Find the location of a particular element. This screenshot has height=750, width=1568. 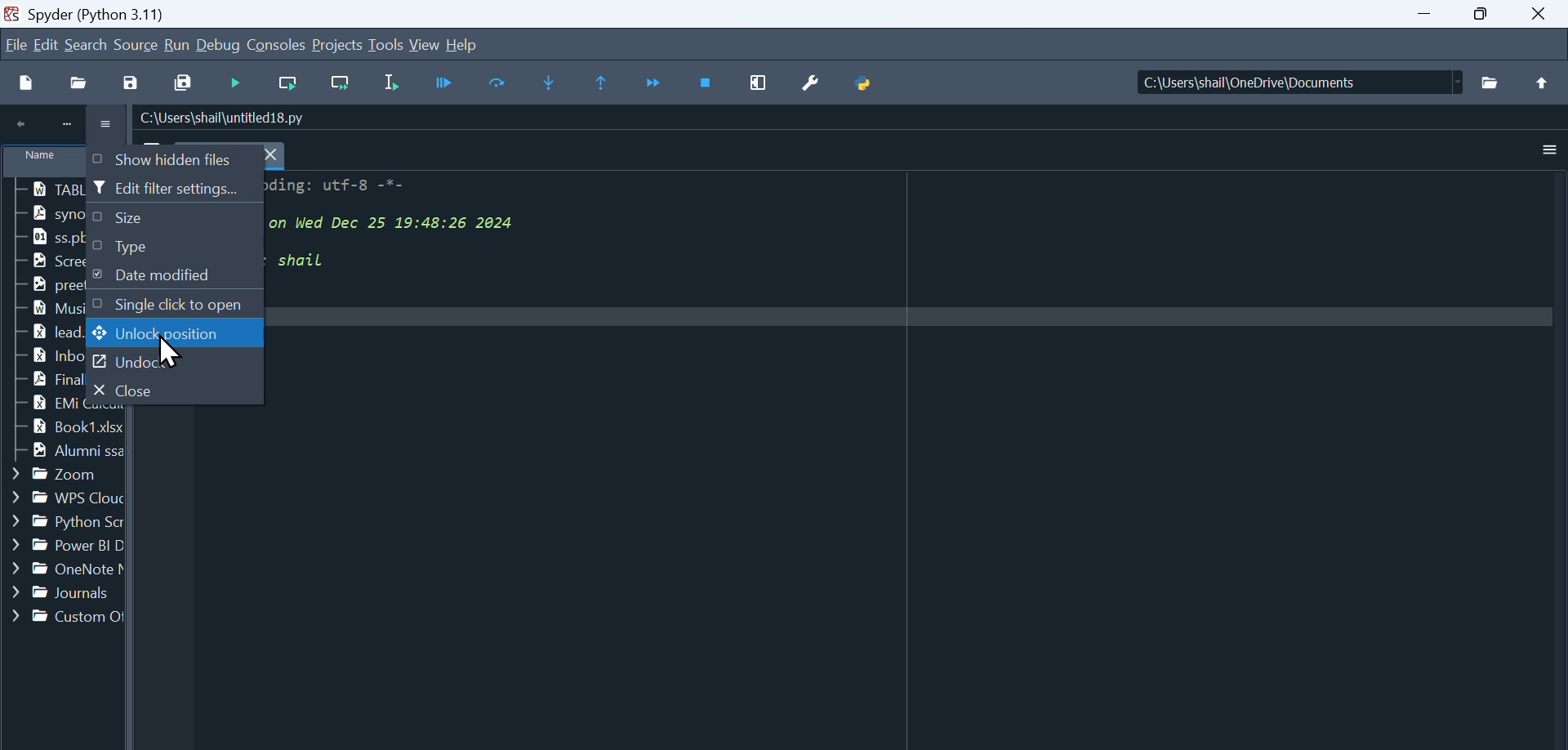

TABLE OF.. is located at coordinates (44, 190).